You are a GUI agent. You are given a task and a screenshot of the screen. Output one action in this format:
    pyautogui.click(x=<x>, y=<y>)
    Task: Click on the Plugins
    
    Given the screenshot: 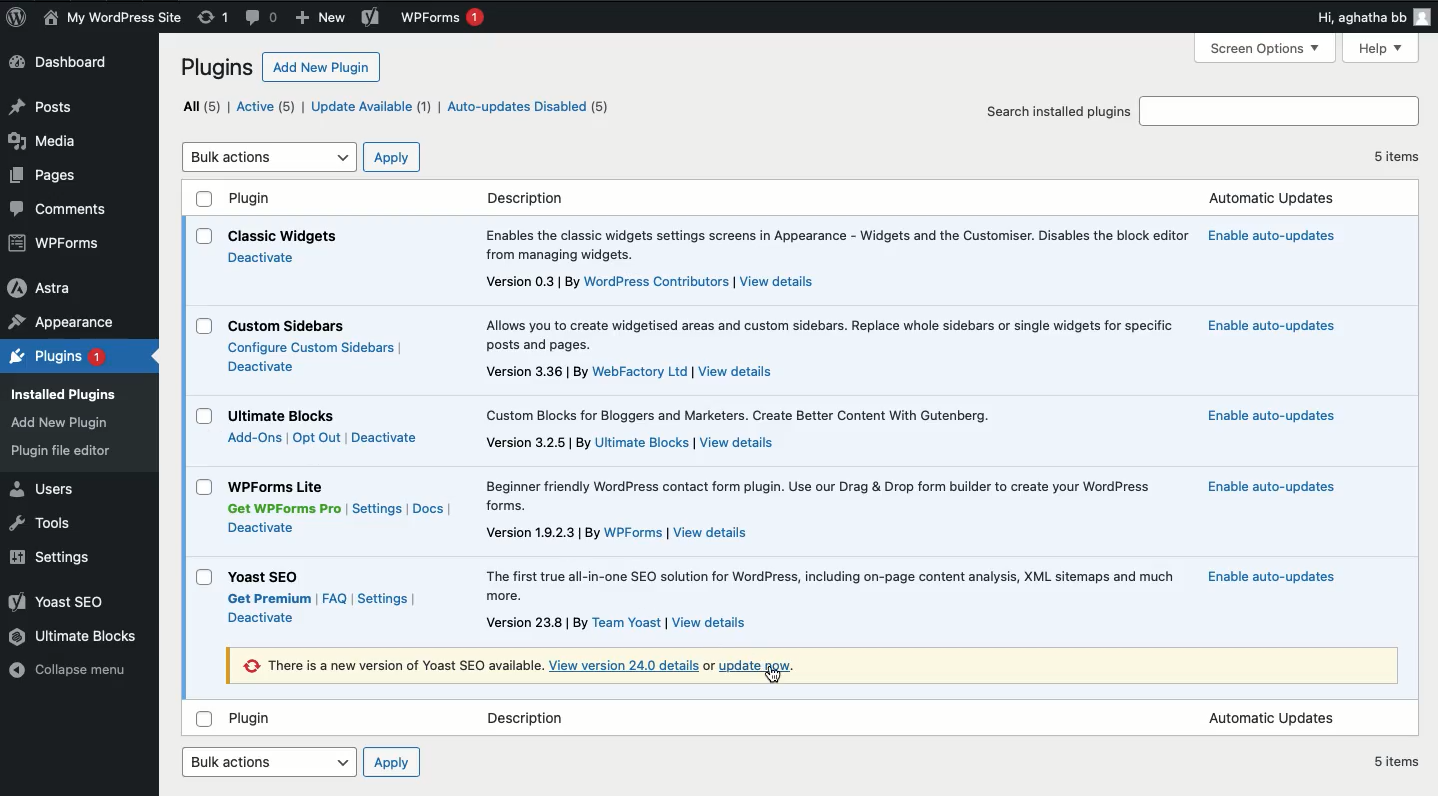 What is the action you would take?
    pyautogui.click(x=56, y=358)
    